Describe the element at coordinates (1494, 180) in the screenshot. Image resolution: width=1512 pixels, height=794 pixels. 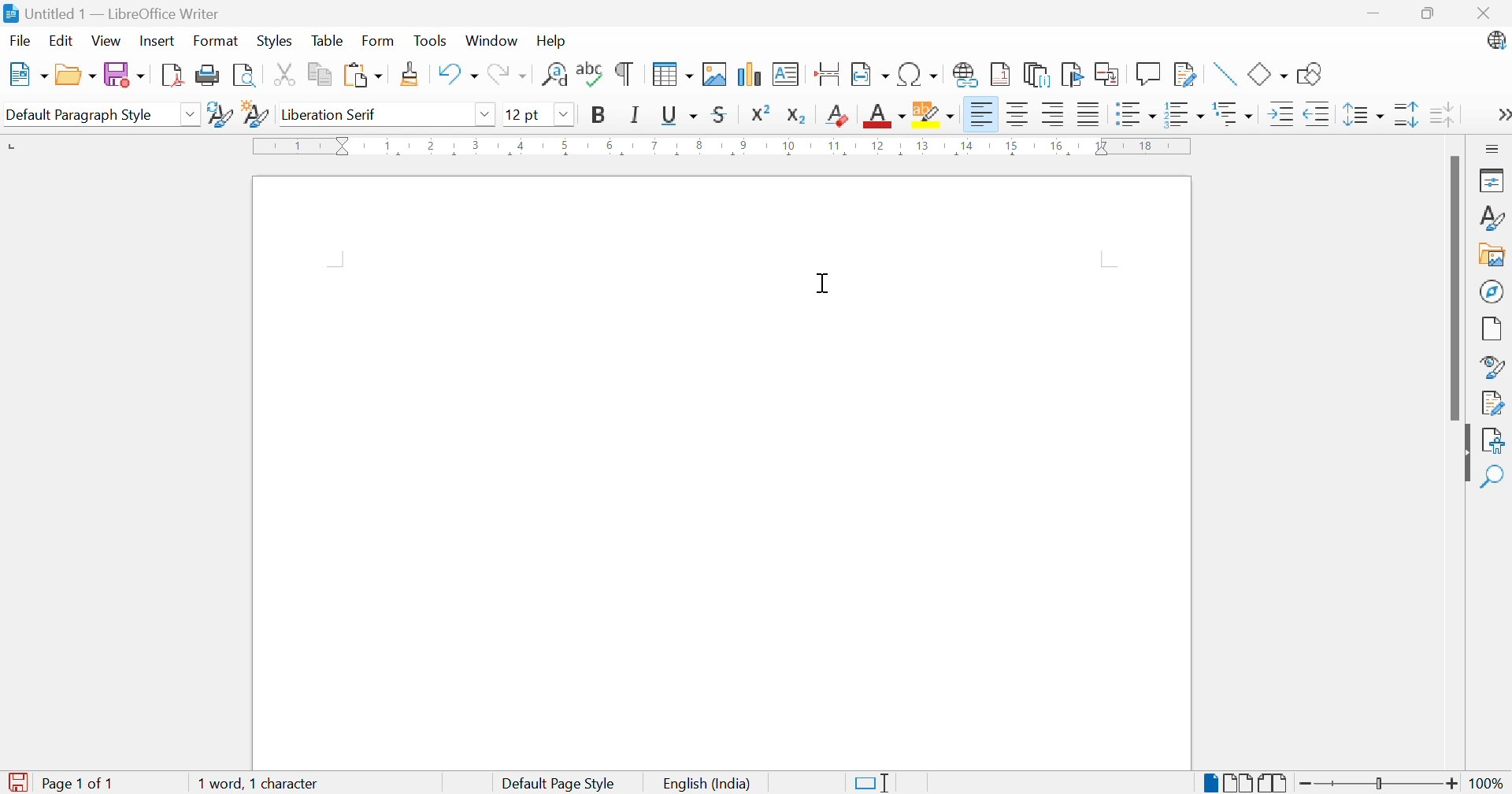
I see `Properties` at that location.